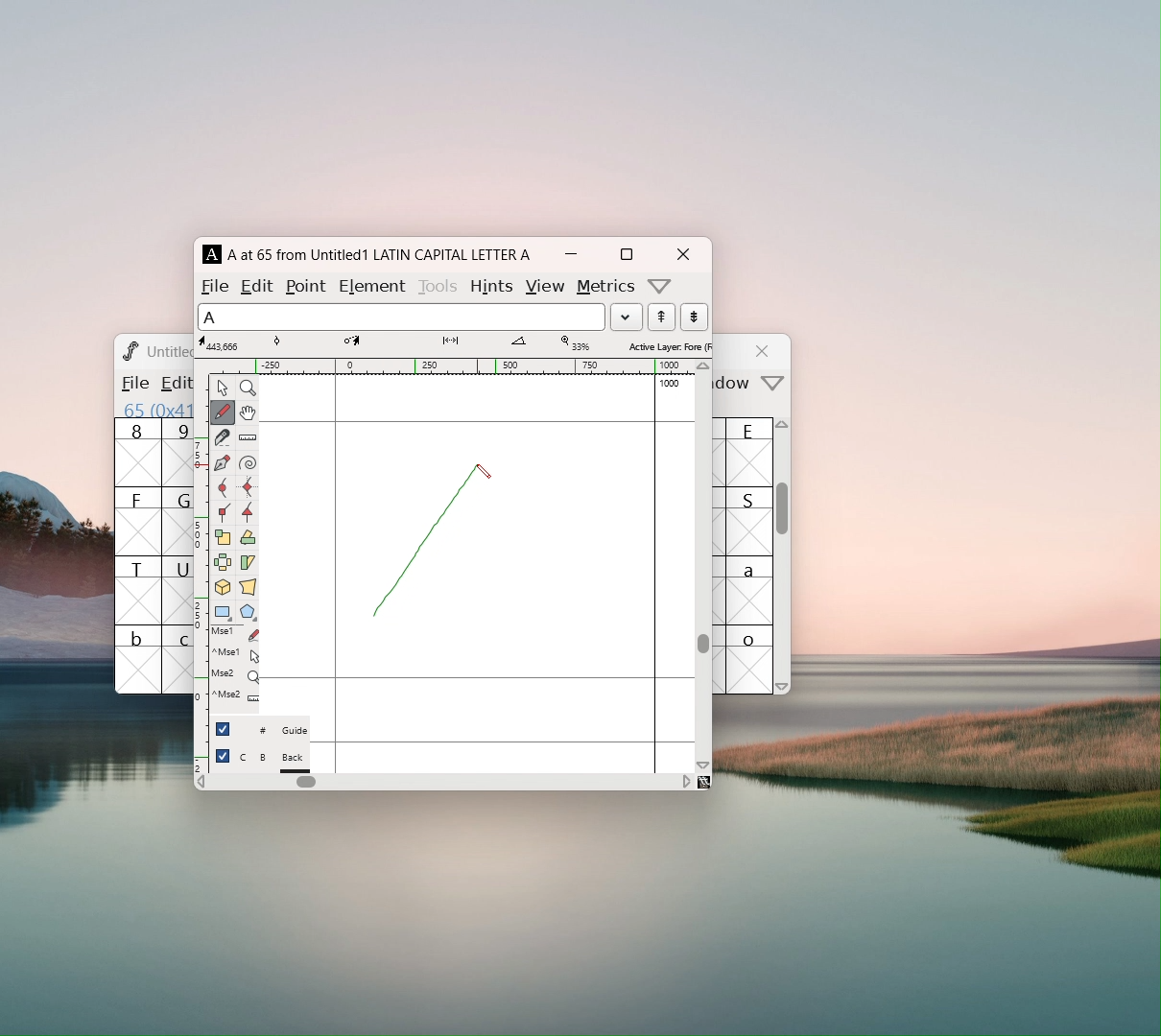  I want to click on F, so click(138, 521).